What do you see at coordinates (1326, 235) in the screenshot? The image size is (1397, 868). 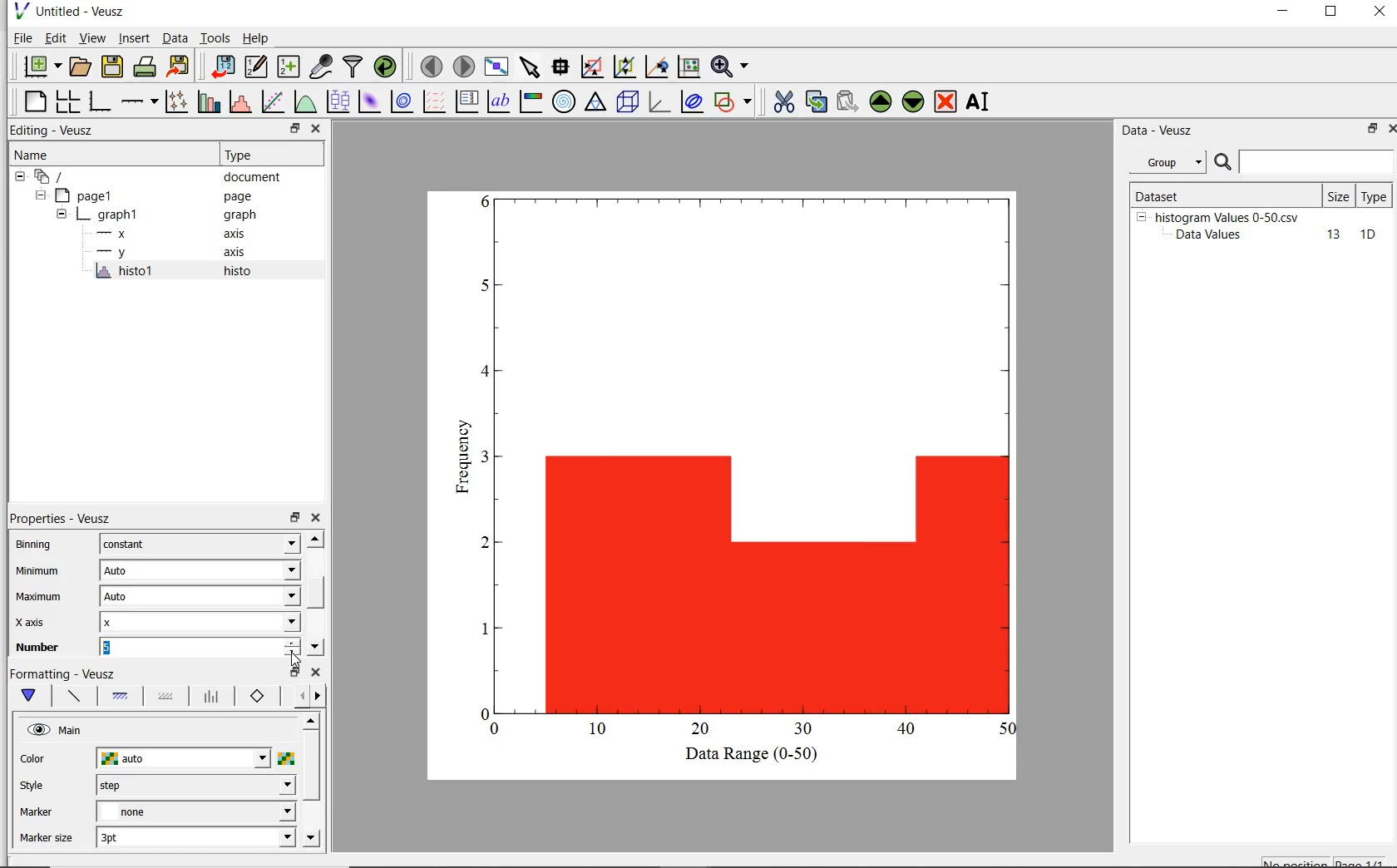 I see `13` at bounding box center [1326, 235].